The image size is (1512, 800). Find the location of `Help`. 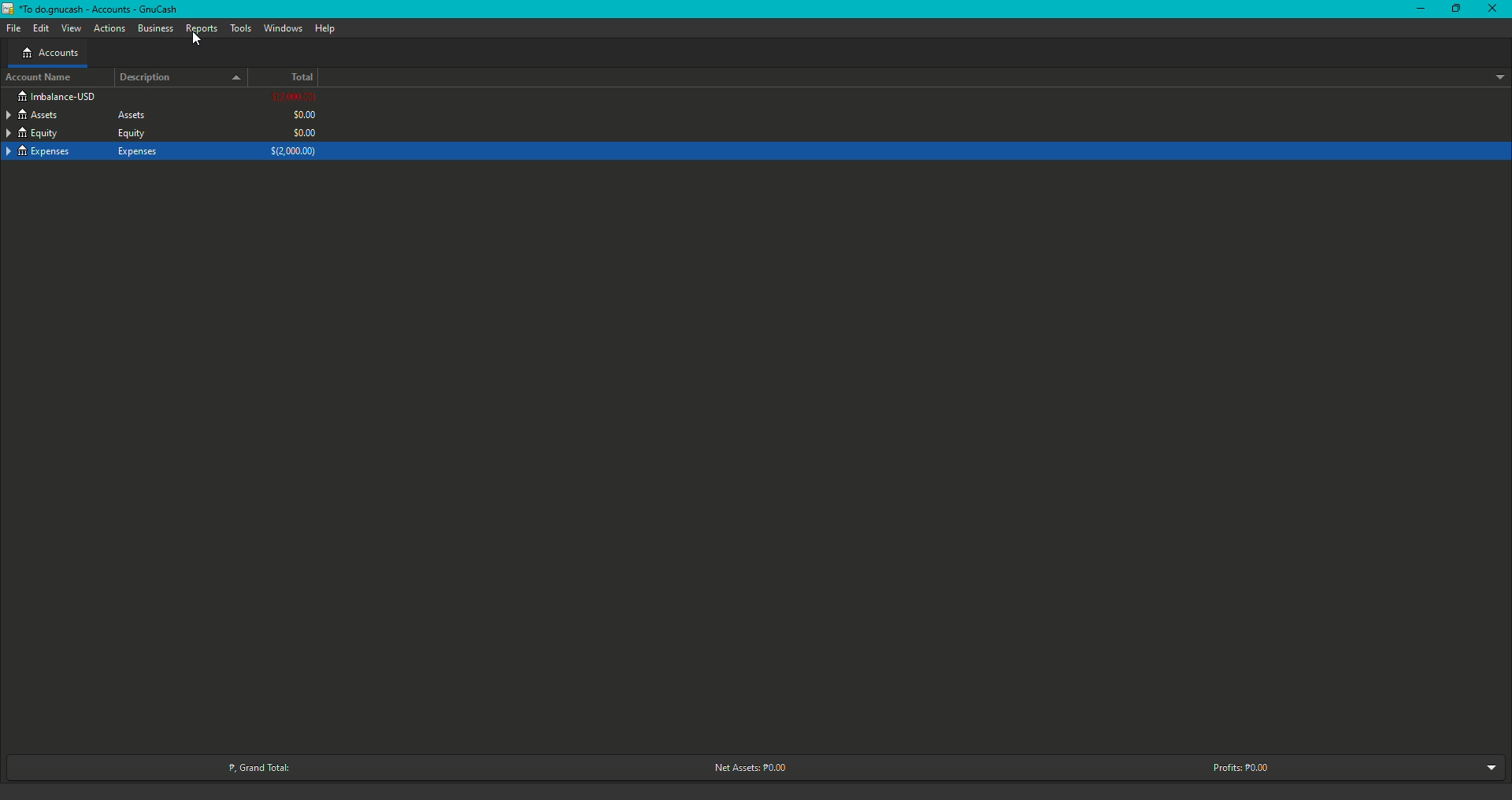

Help is located at coordinates (326, 29).